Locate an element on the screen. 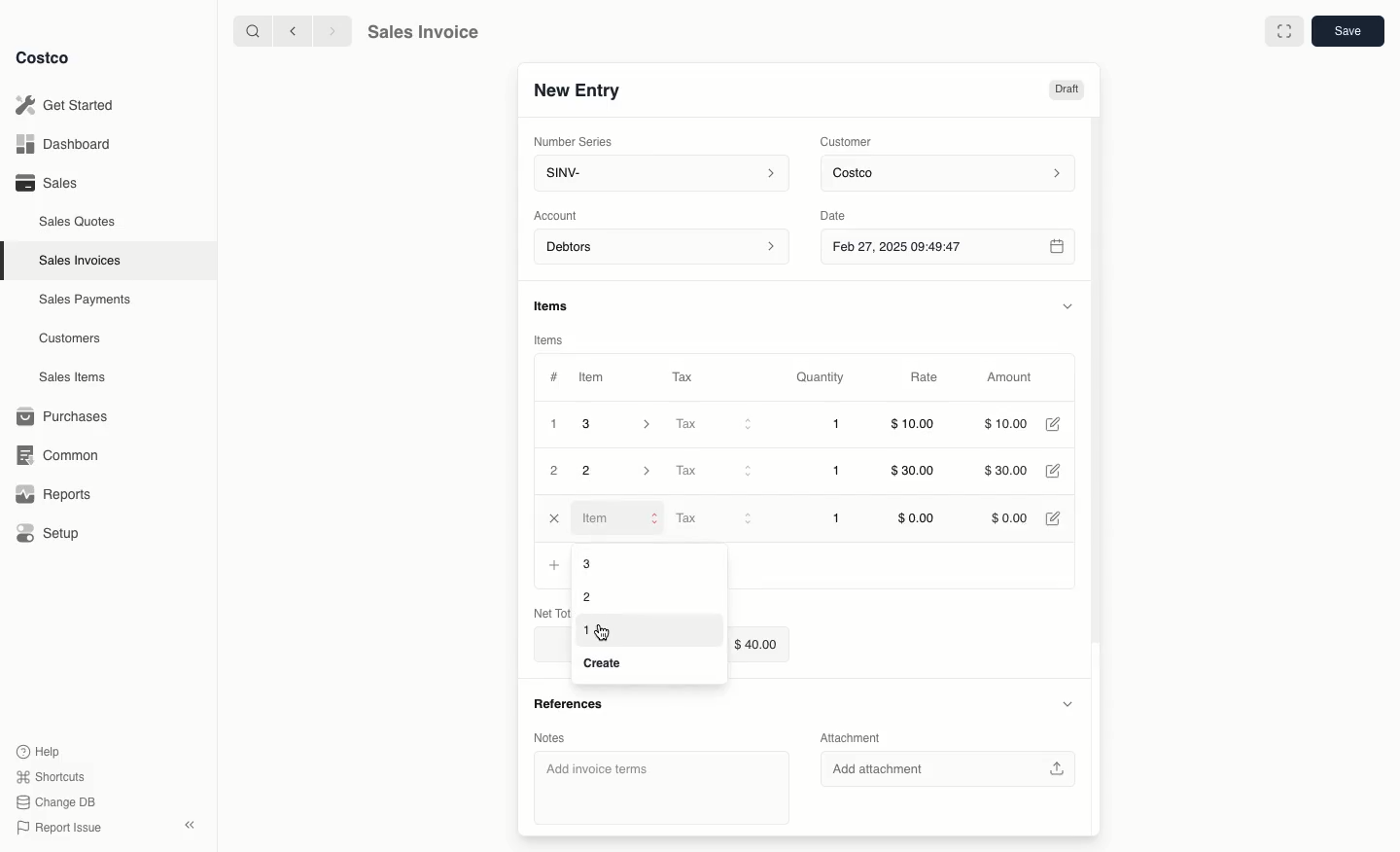  Tax is located at coordinates (712, 471).